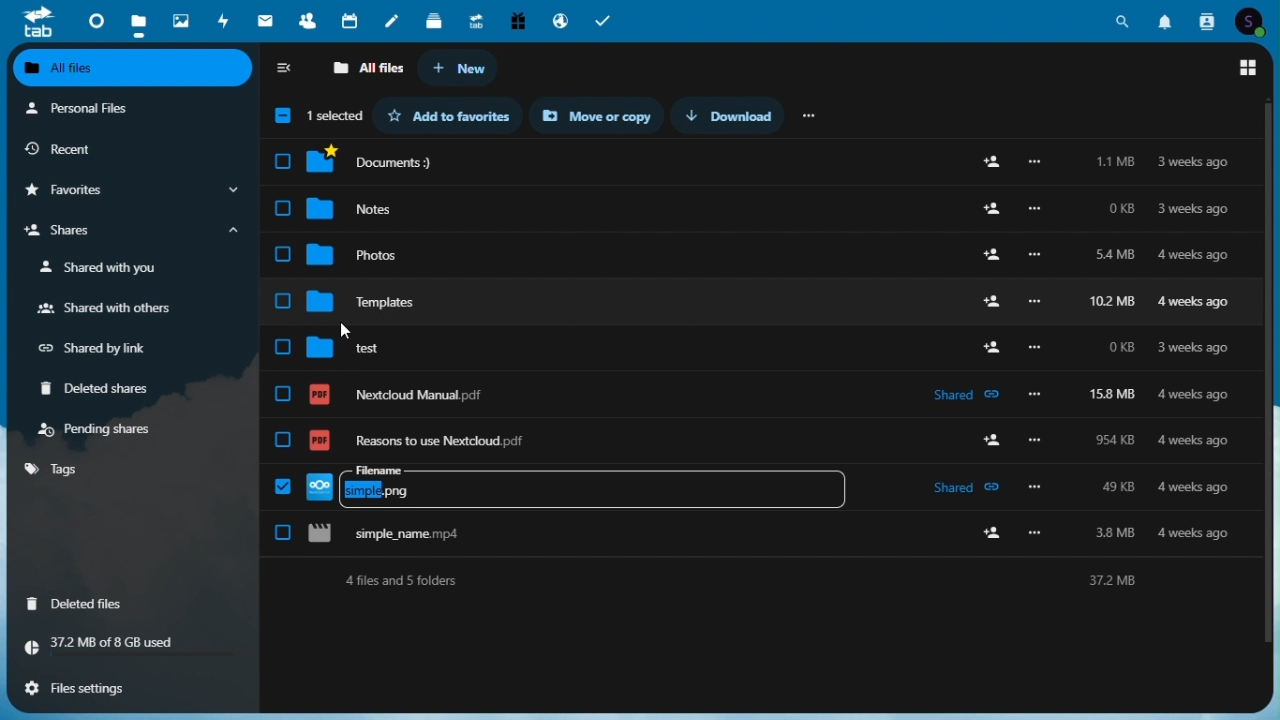  What do you see at coordinates (761, 432) in the screenshot?
I see `Reasons to use Nextcloud.pdf 954 KB 4 weeks ago` at bounding box center [761, 432].